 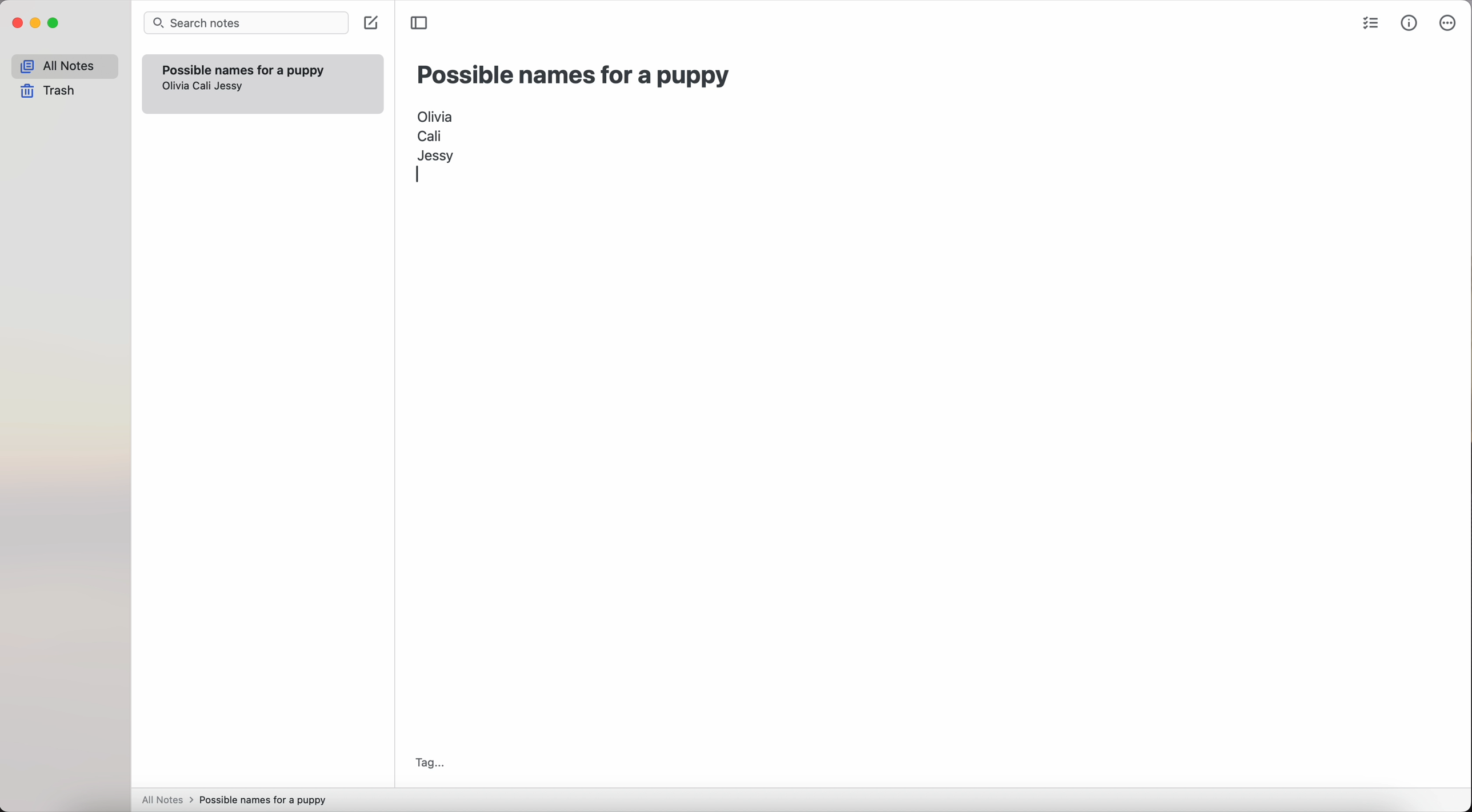 I want to click on create note, so click(x=370, y=24).